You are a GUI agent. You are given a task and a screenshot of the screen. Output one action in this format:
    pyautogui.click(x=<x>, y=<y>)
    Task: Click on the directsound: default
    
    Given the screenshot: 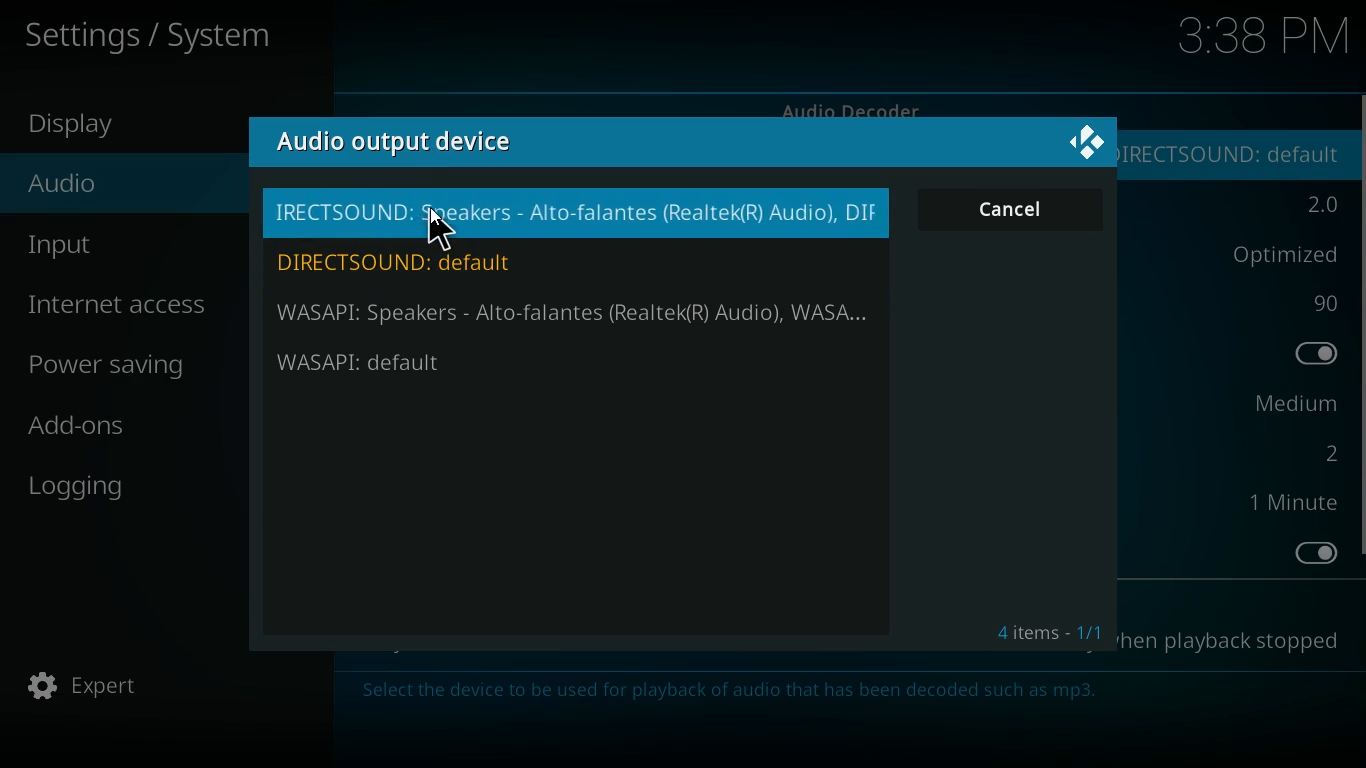 What is the action you would take?
    pyautogui.click(x=1240, y=151)
    